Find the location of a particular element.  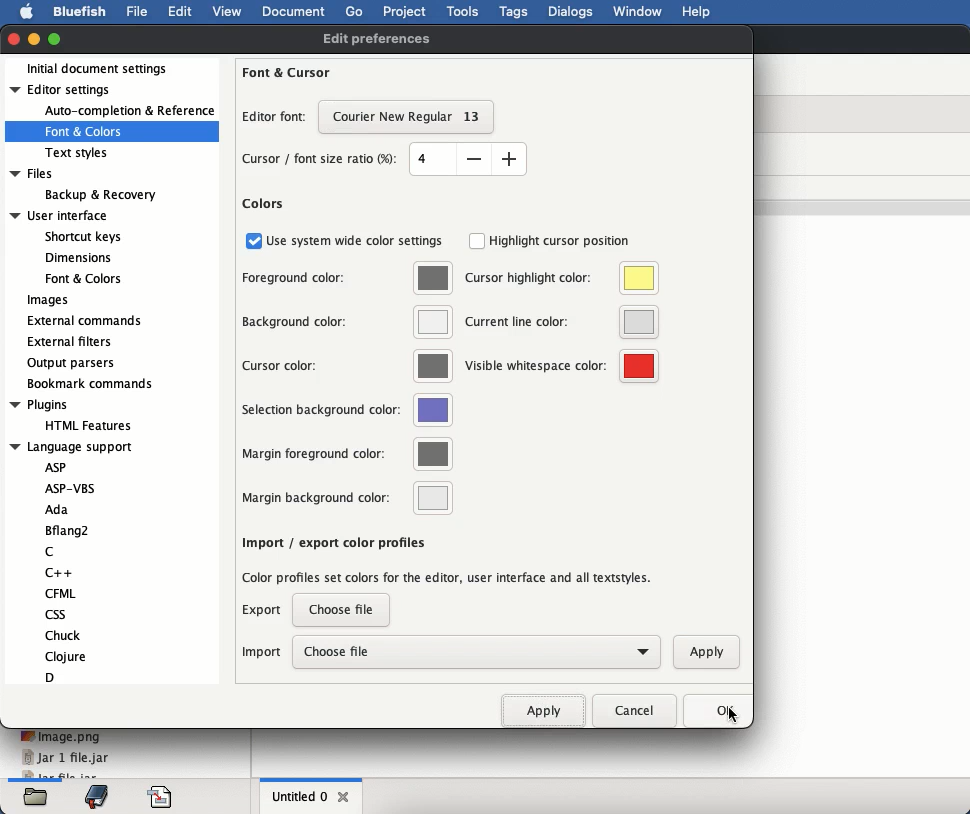

close is located at coordinates (15, 40).